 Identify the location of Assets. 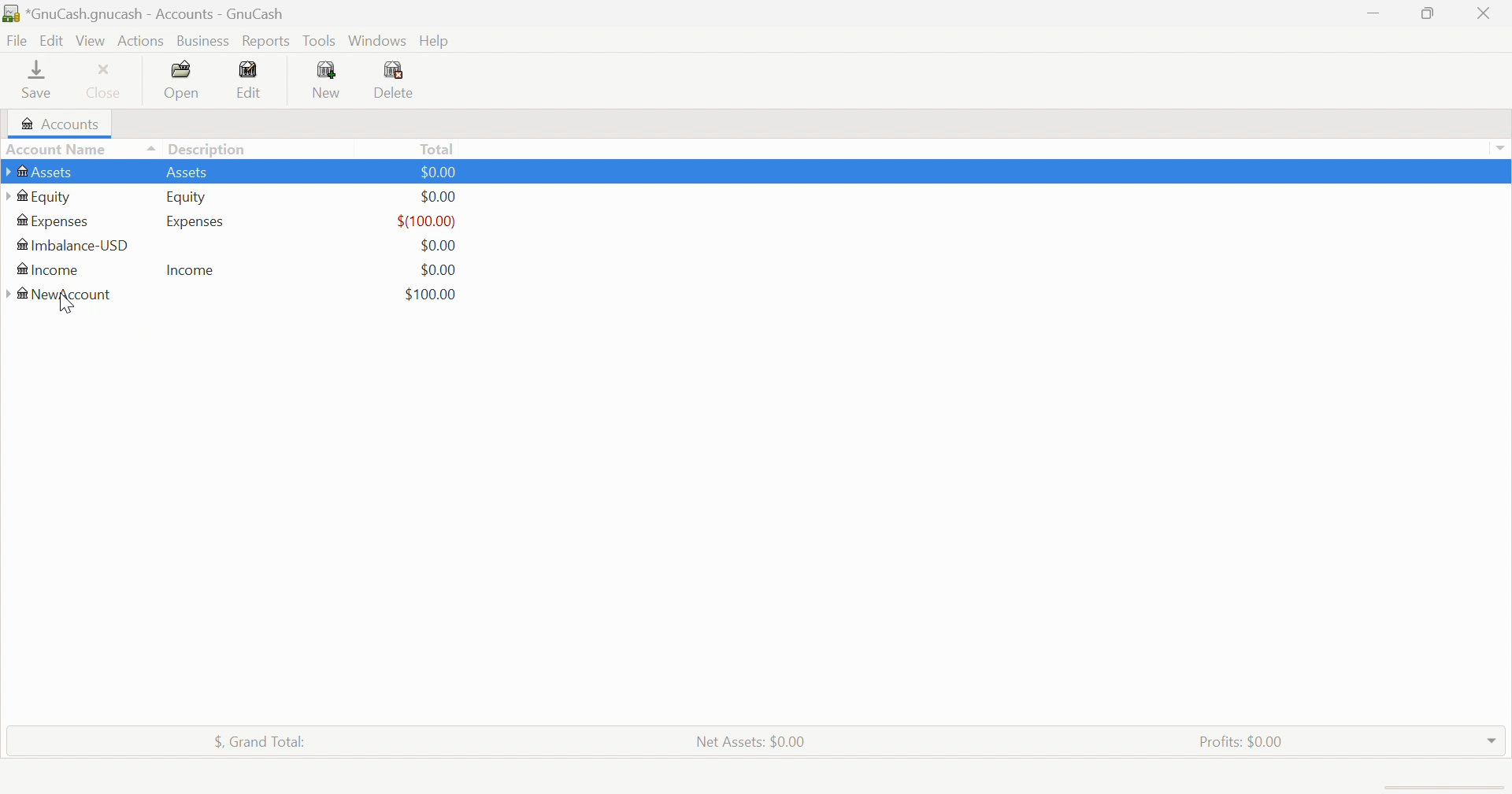
(185, 173).